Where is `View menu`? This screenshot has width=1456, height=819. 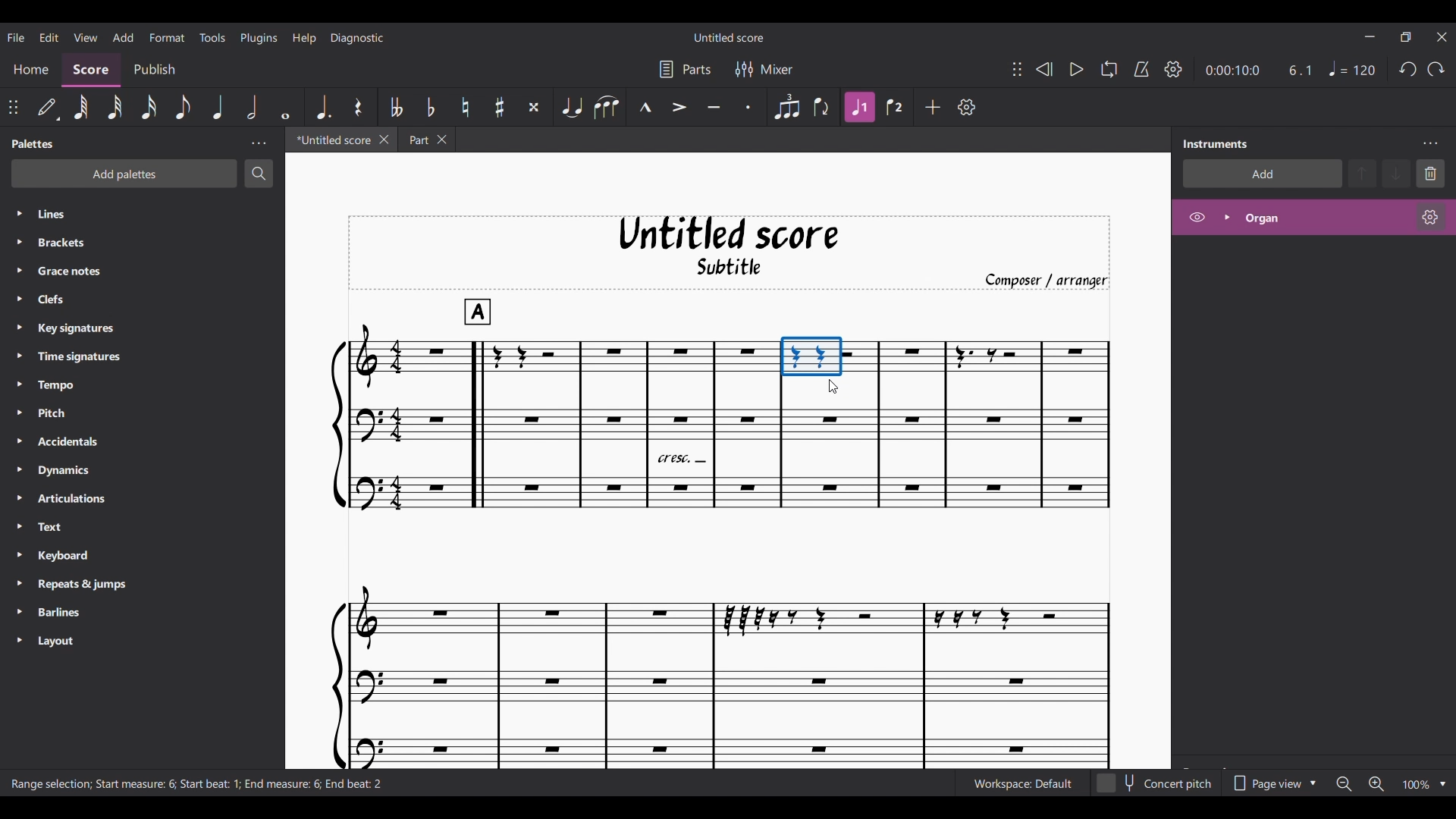
View menu is located at coordinates (86, 36).